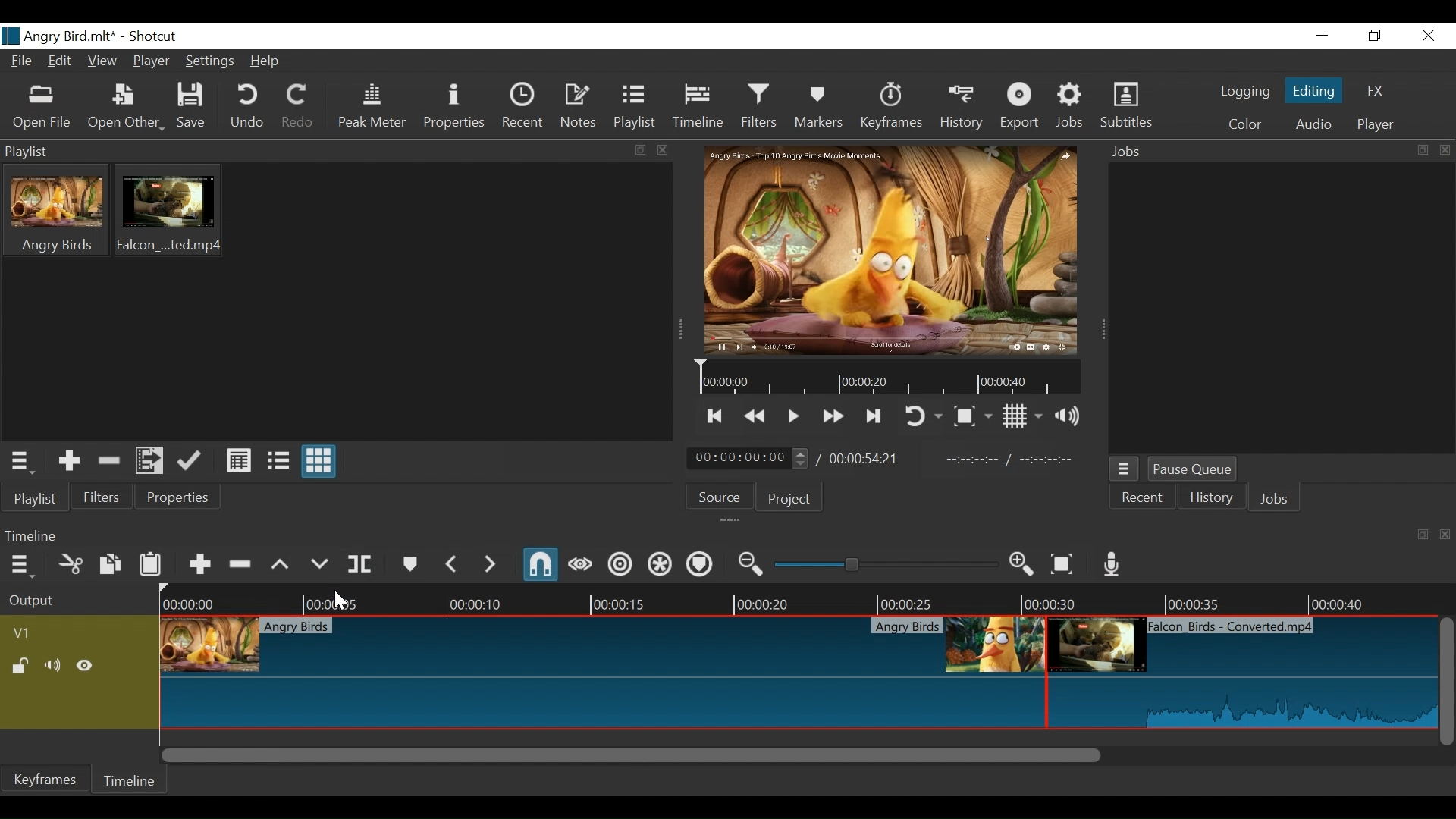 This screenshot has height=819, width=1456. What do you see at coordinates (22, 61) in the screenshot?
I see `File` at bounding box center [22, 61].